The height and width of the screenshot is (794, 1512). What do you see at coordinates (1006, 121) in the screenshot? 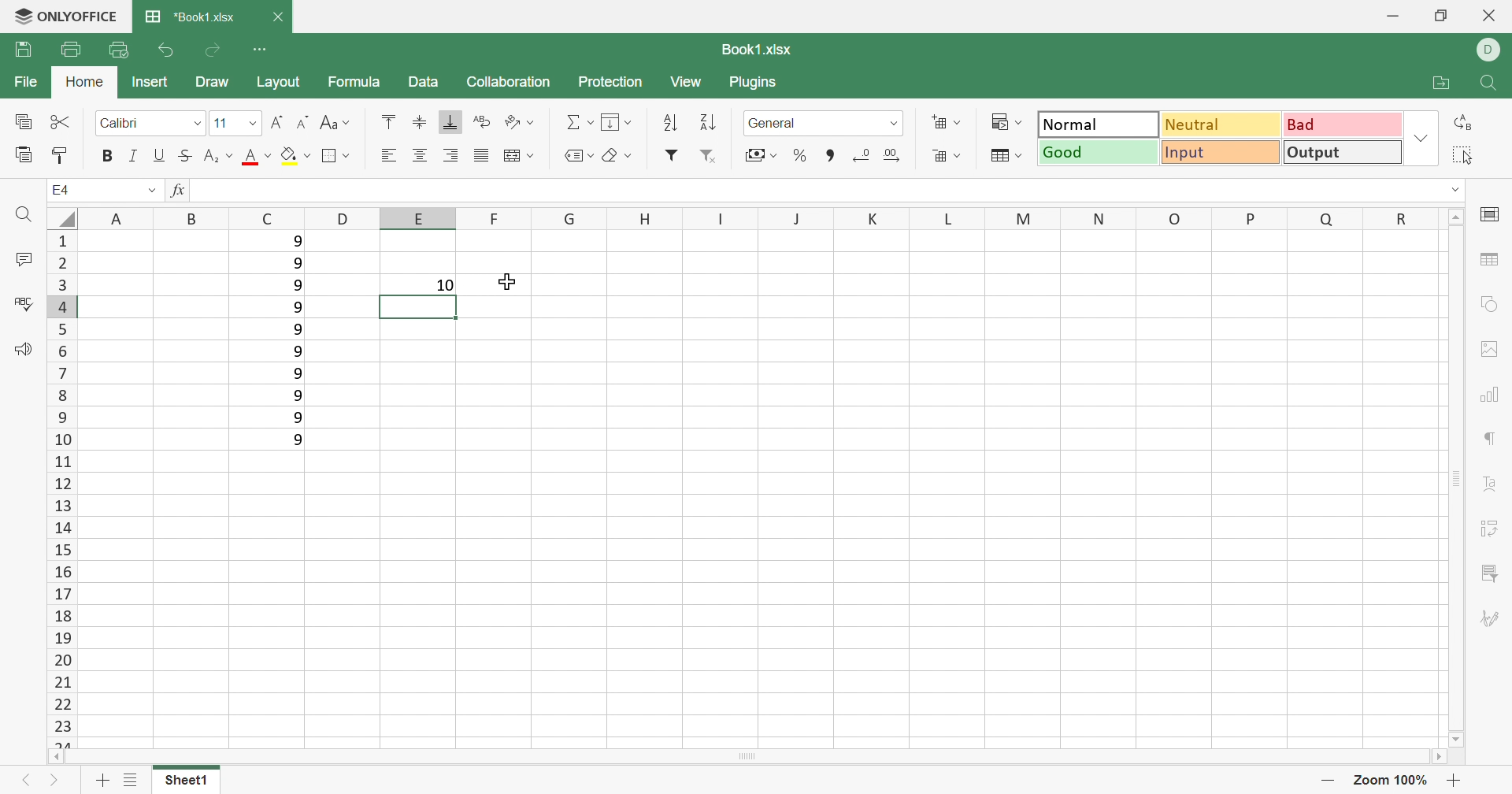
I see `Conditional formatting` at bounding box center [1006, 121].